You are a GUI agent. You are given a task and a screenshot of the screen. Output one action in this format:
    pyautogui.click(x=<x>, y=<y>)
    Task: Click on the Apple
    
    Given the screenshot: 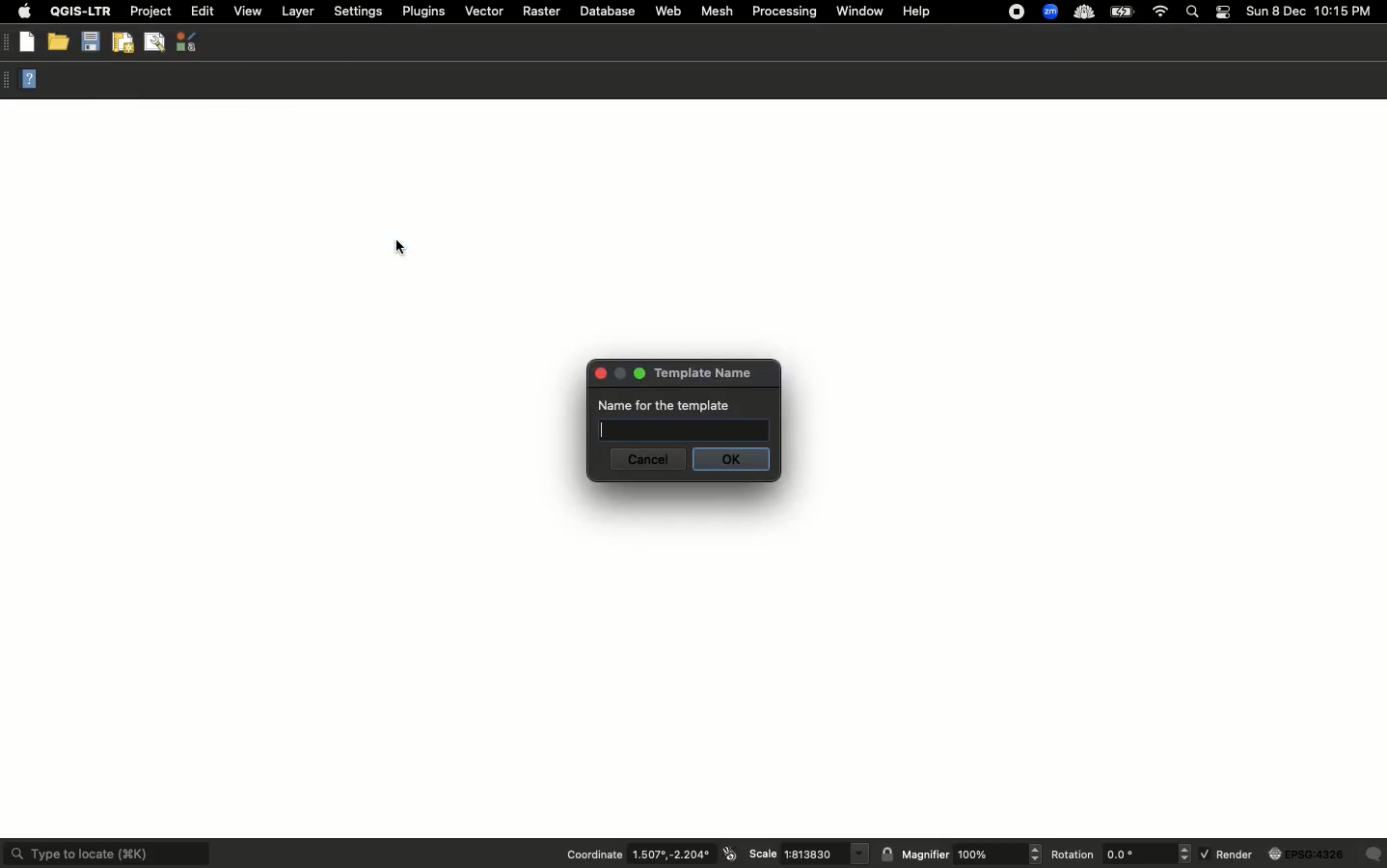 What is the action you would take?
    pyautogui.click(x=23, y=12)
    